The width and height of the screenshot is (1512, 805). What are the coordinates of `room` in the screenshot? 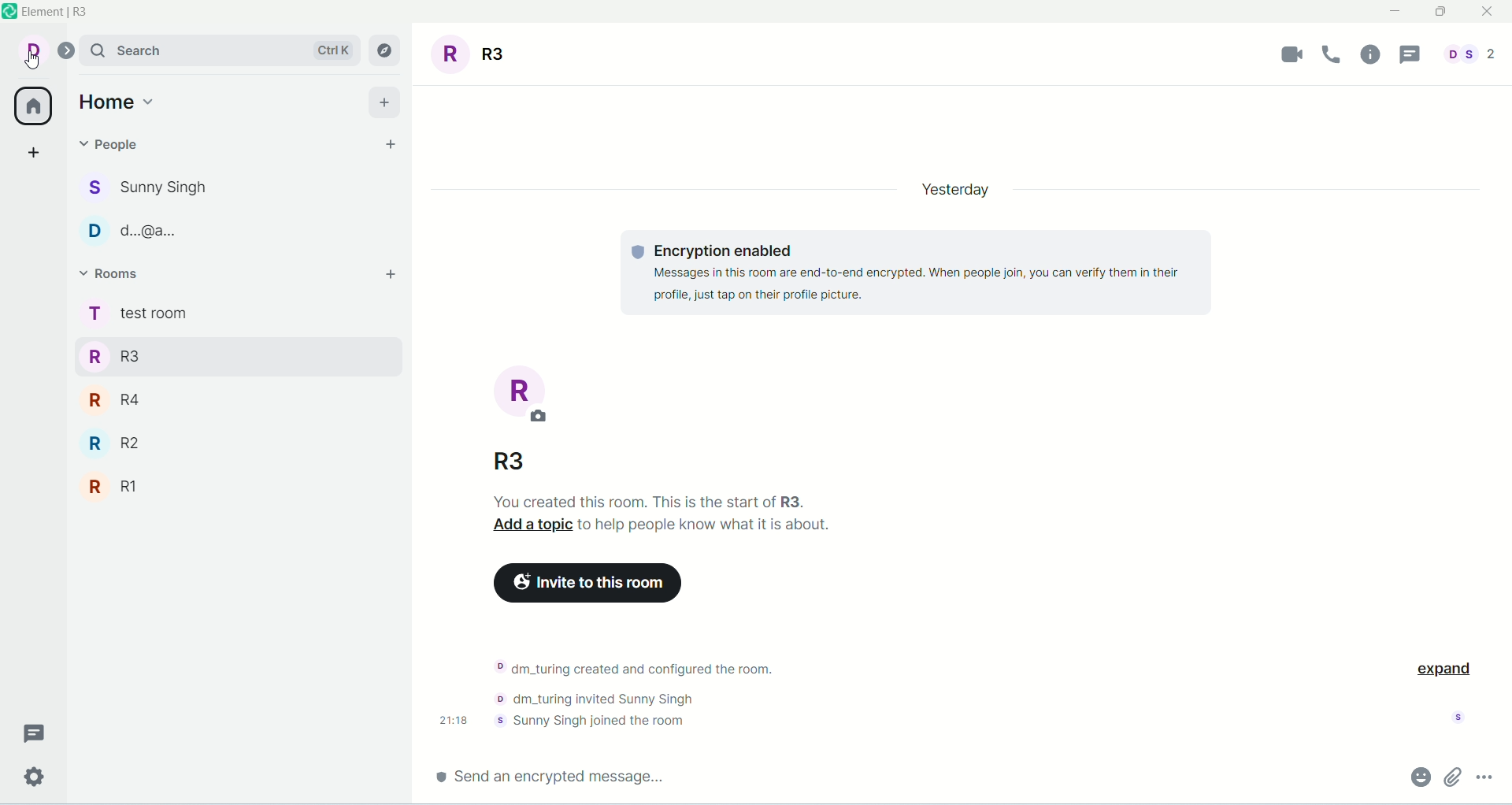 It's located at (476, 54).